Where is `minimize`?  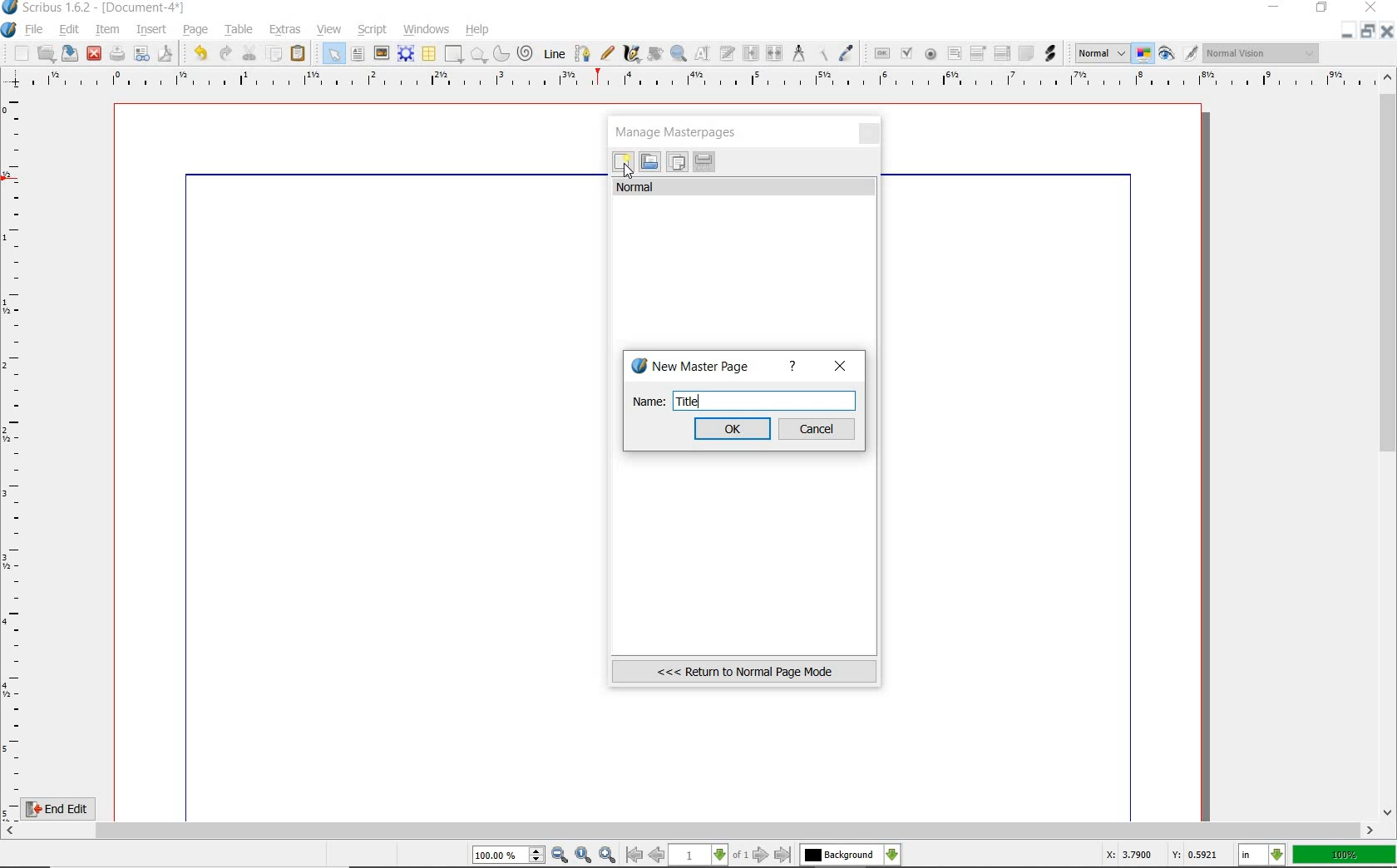 minimize is located at coordinates (1276, 8).